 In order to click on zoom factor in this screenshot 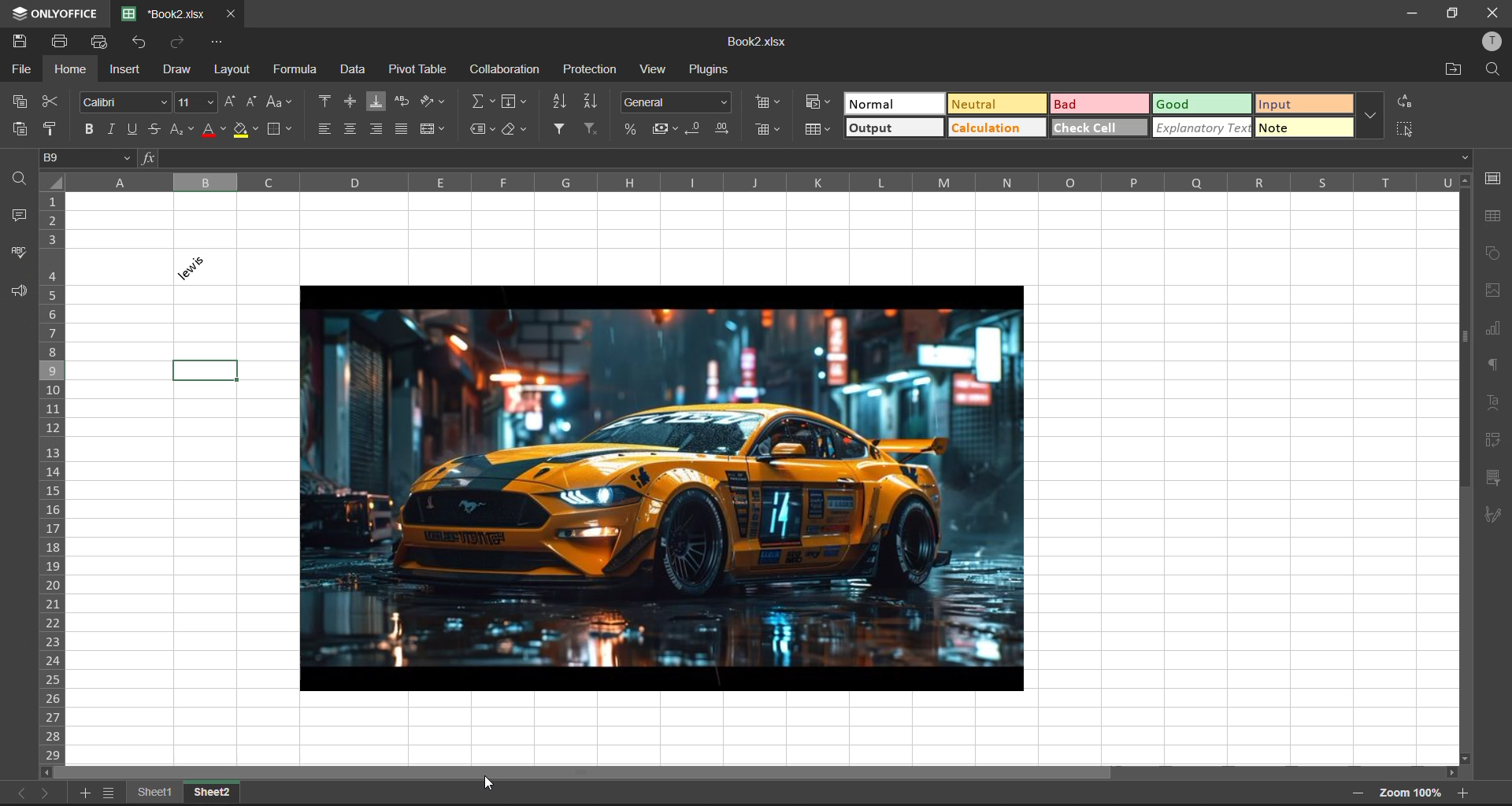, I will do `click(1415, 793)`.